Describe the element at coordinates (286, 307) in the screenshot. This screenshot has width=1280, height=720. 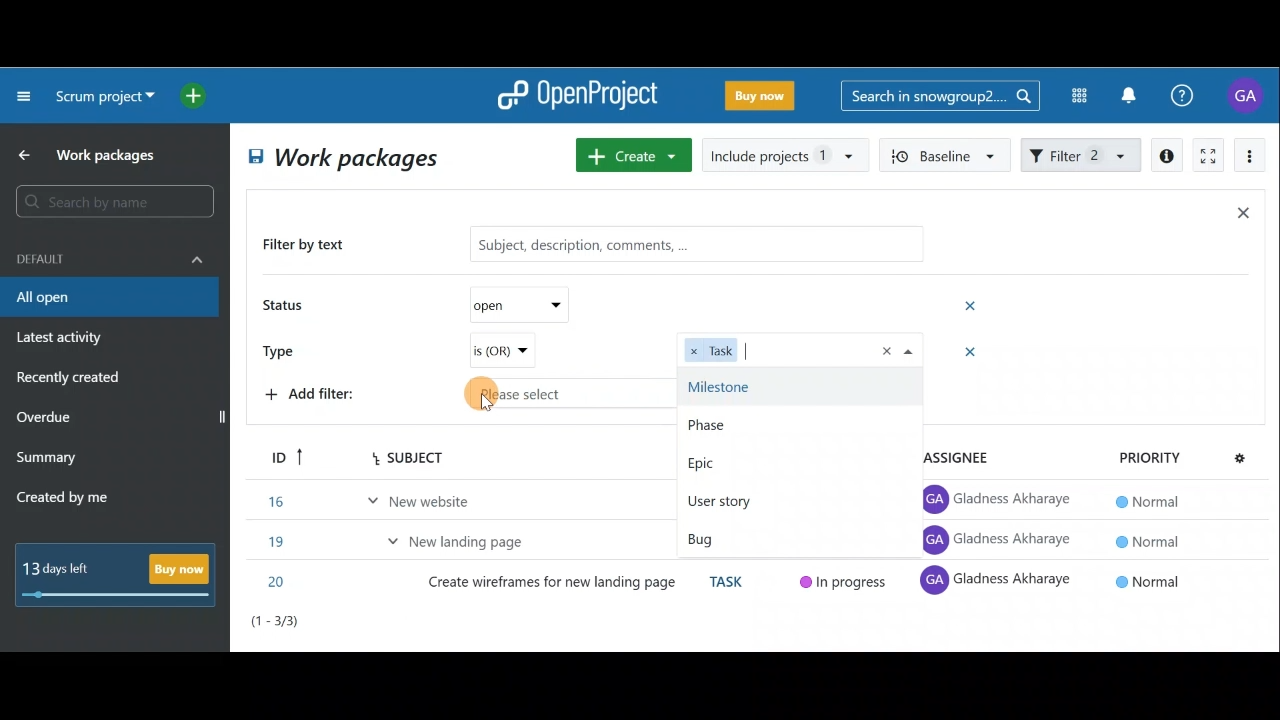
I see `Status` at that location.